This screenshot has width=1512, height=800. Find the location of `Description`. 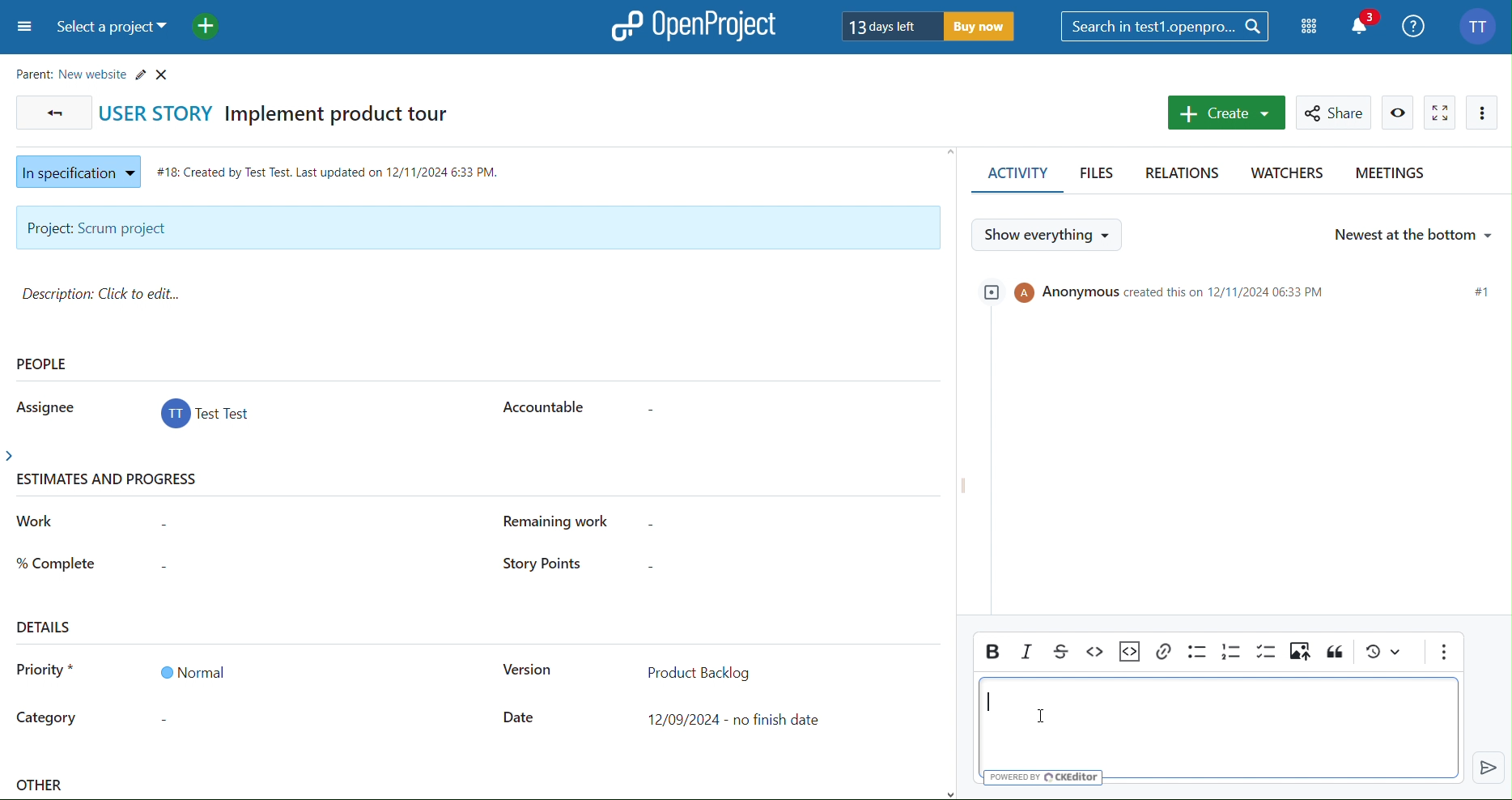

Description is located at coordinates (107, 294).